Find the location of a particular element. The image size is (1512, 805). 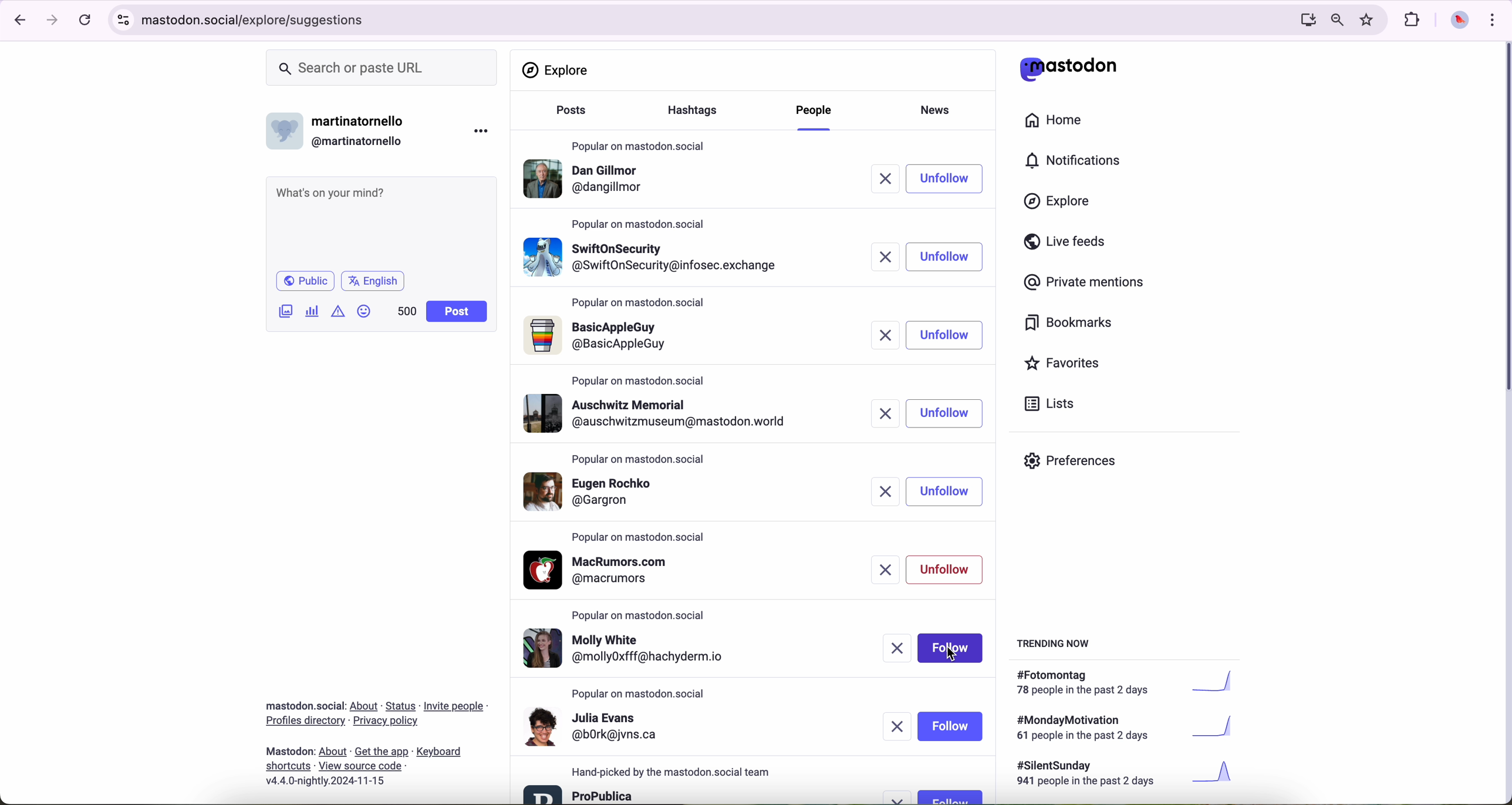

what's on your mind? is located at coordinates (380, 221).